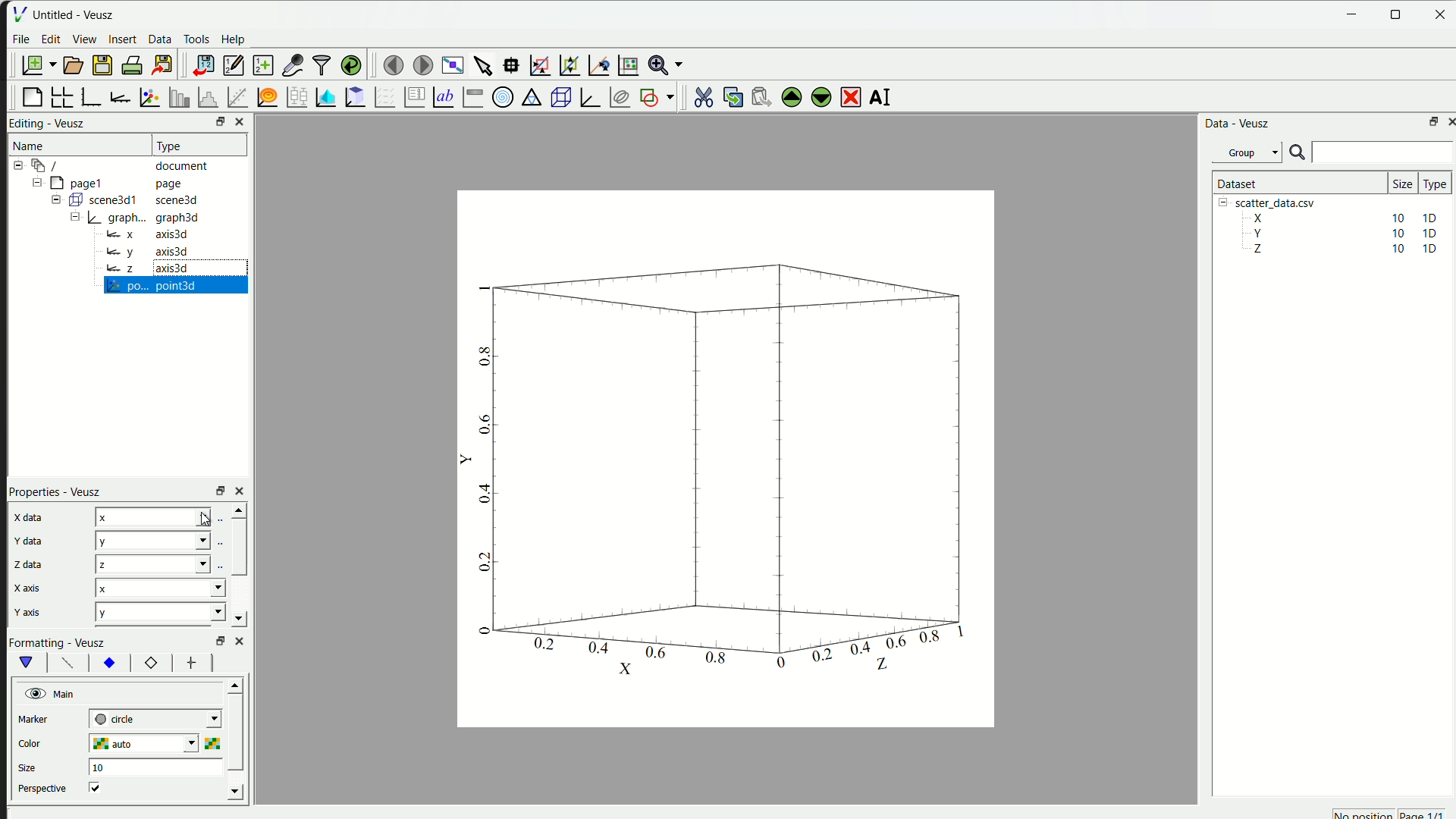 The width and height of the screenshot is (1456, 819). Describe the element at coordinates (1442, 15) in the screenshot. I see `close` at that location.